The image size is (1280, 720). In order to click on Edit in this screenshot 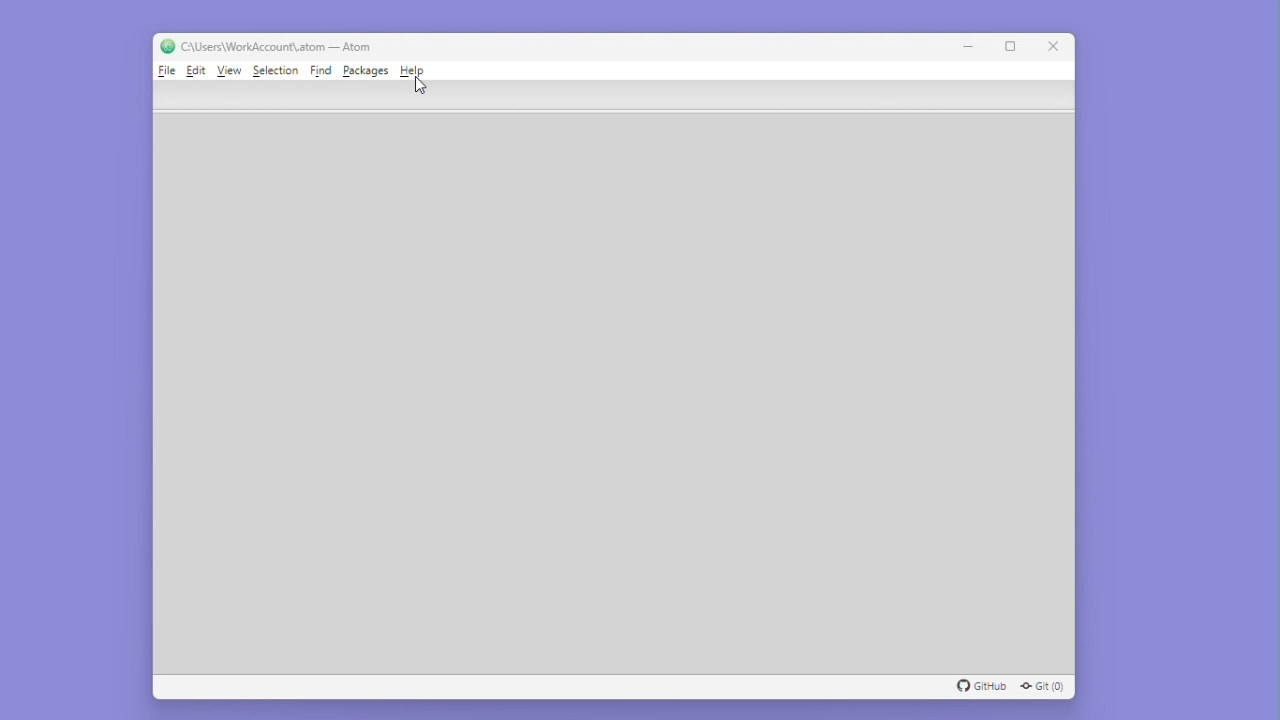, I will do `click(195, 71)`.